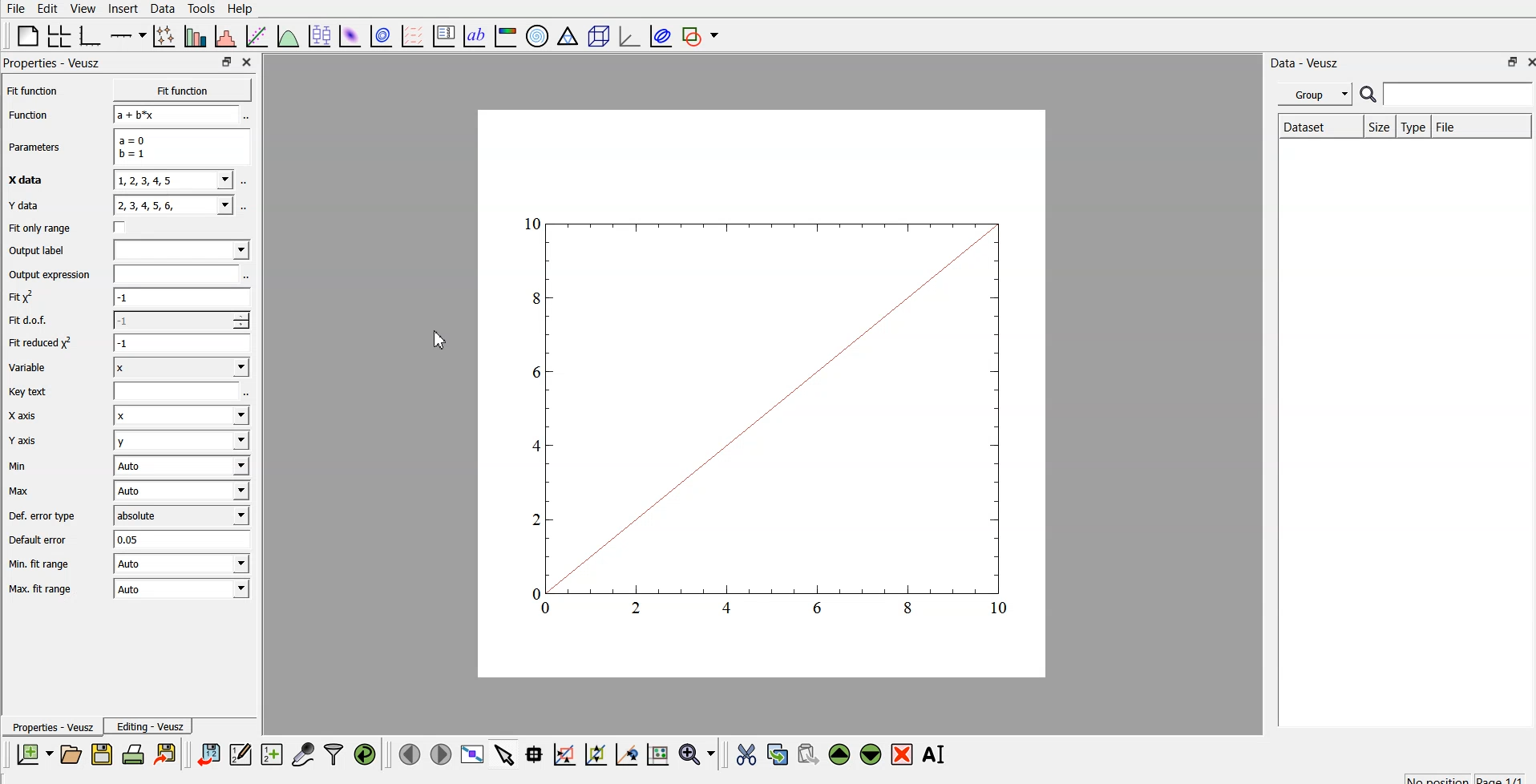 The width and height of the screenshot is (1536, 784). I want to click on Fit function, so click(184, 92).